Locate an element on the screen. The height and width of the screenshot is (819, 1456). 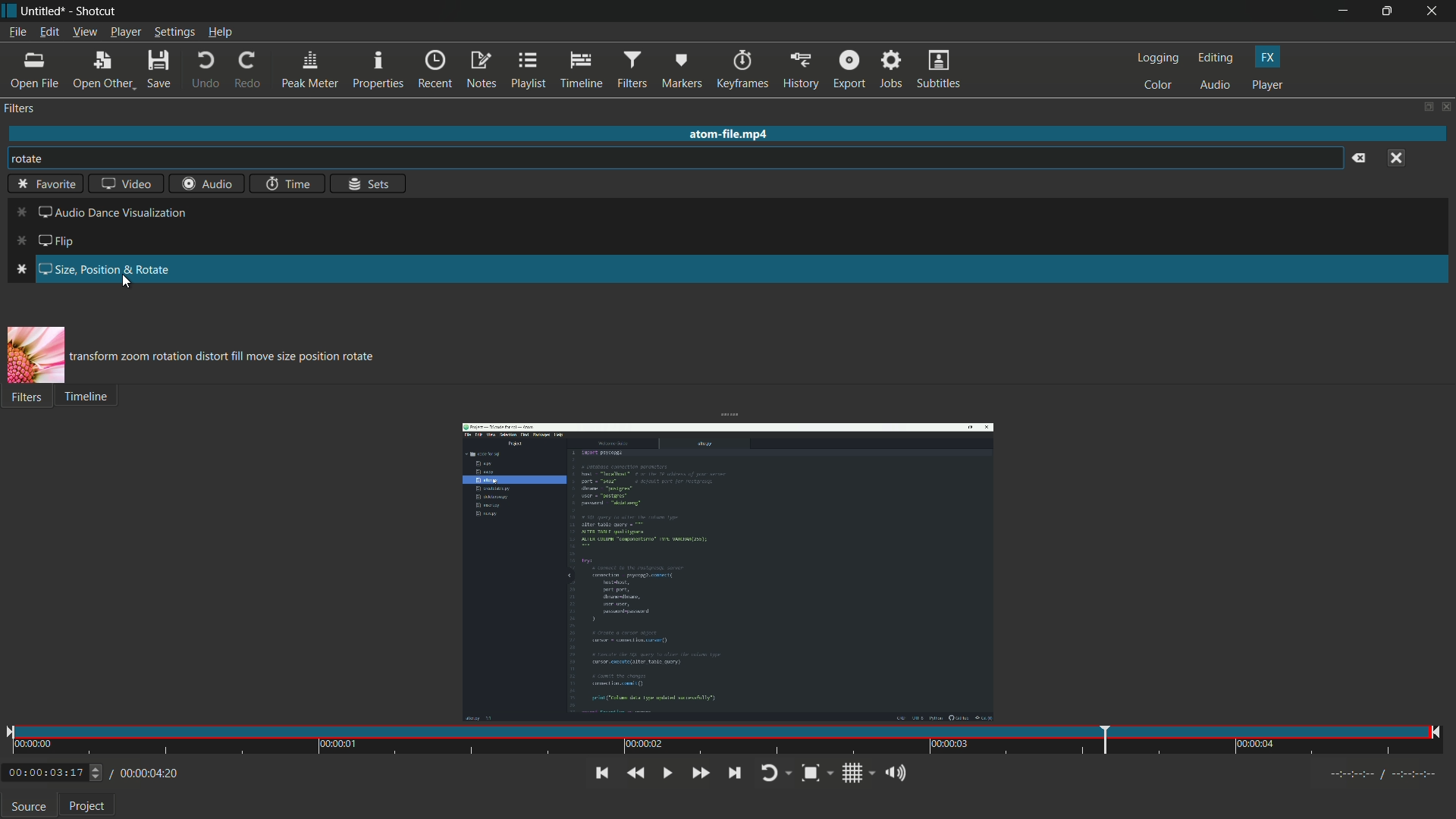
audio is located at coordinates (1216, 86).